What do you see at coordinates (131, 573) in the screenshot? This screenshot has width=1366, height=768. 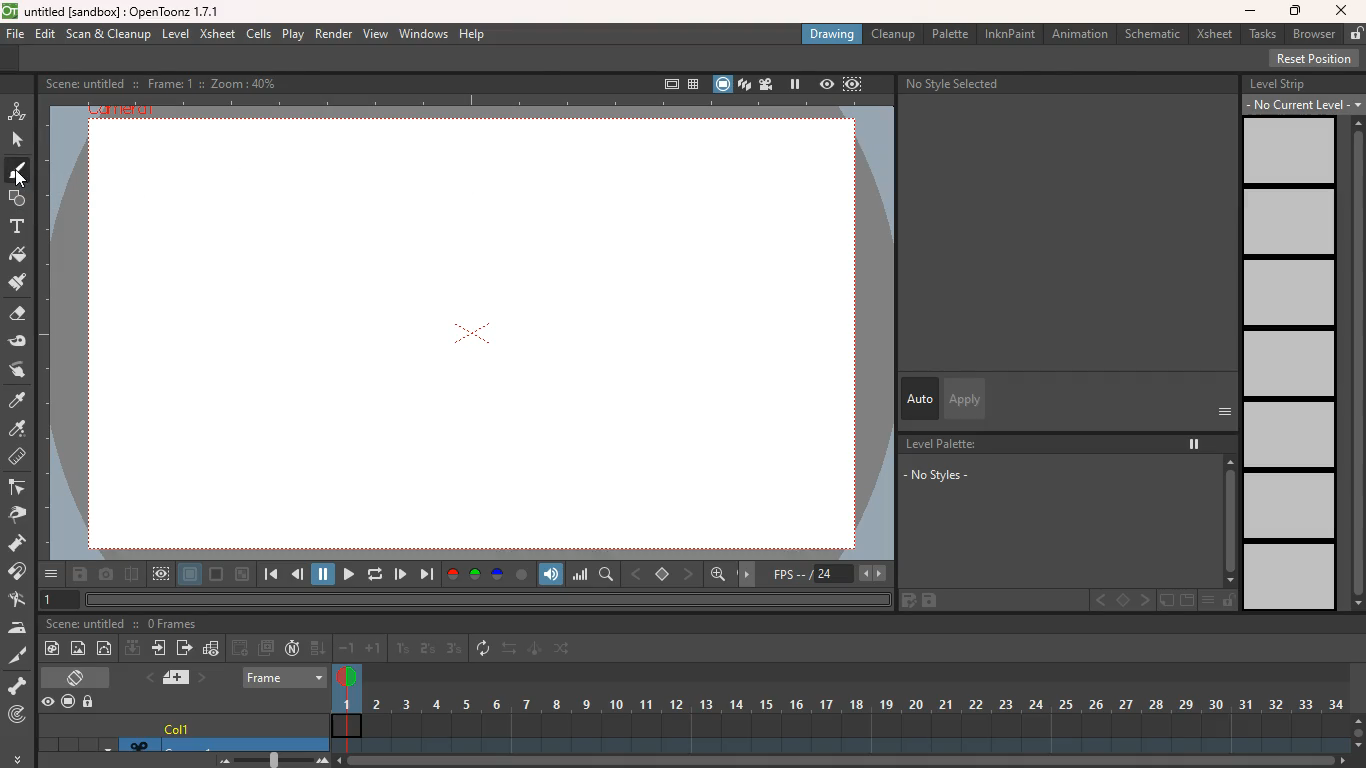 I see `divide` at bounding box center [131, 573].